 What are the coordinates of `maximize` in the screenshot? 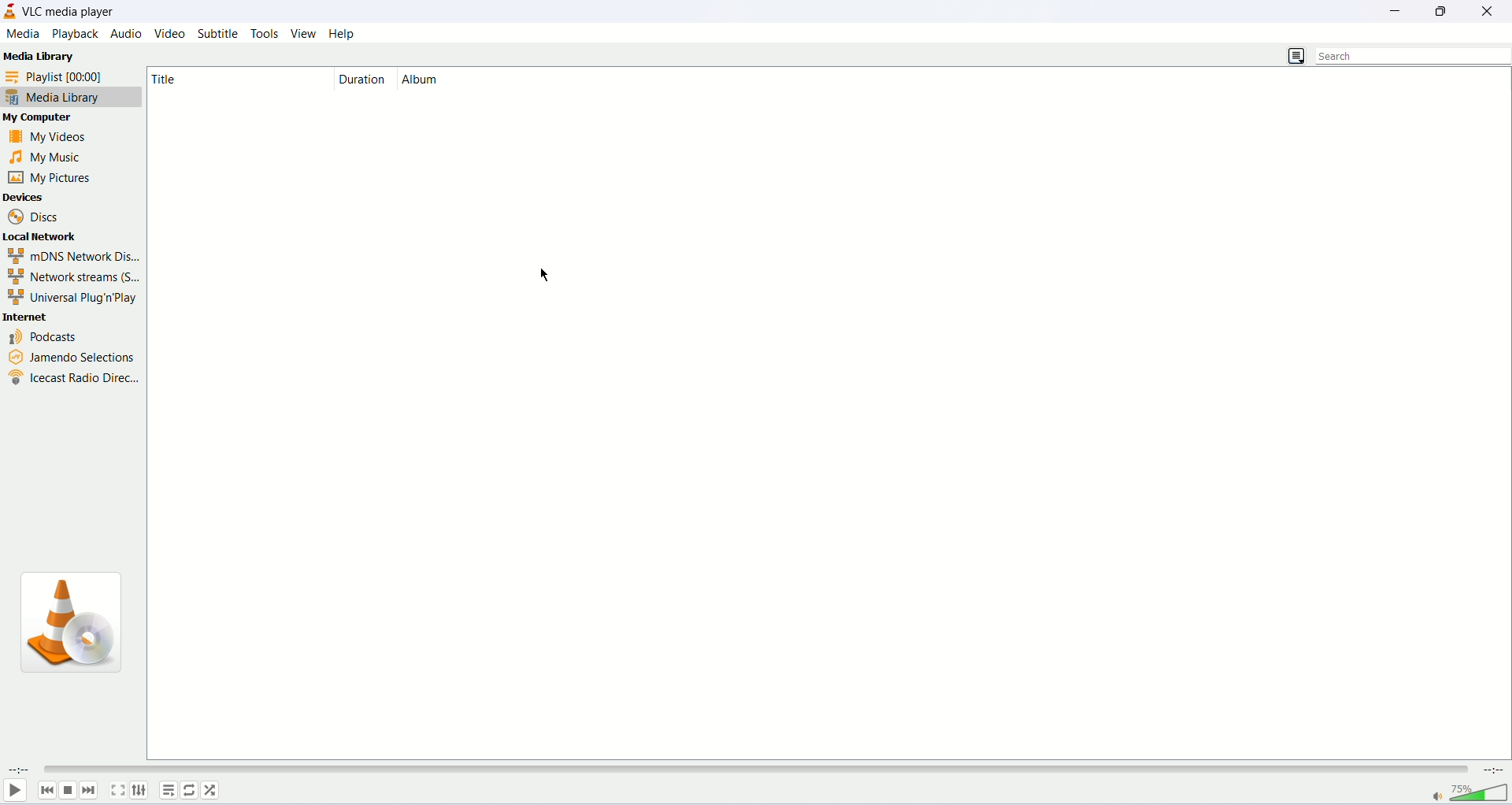 It's located at (1443, 12).